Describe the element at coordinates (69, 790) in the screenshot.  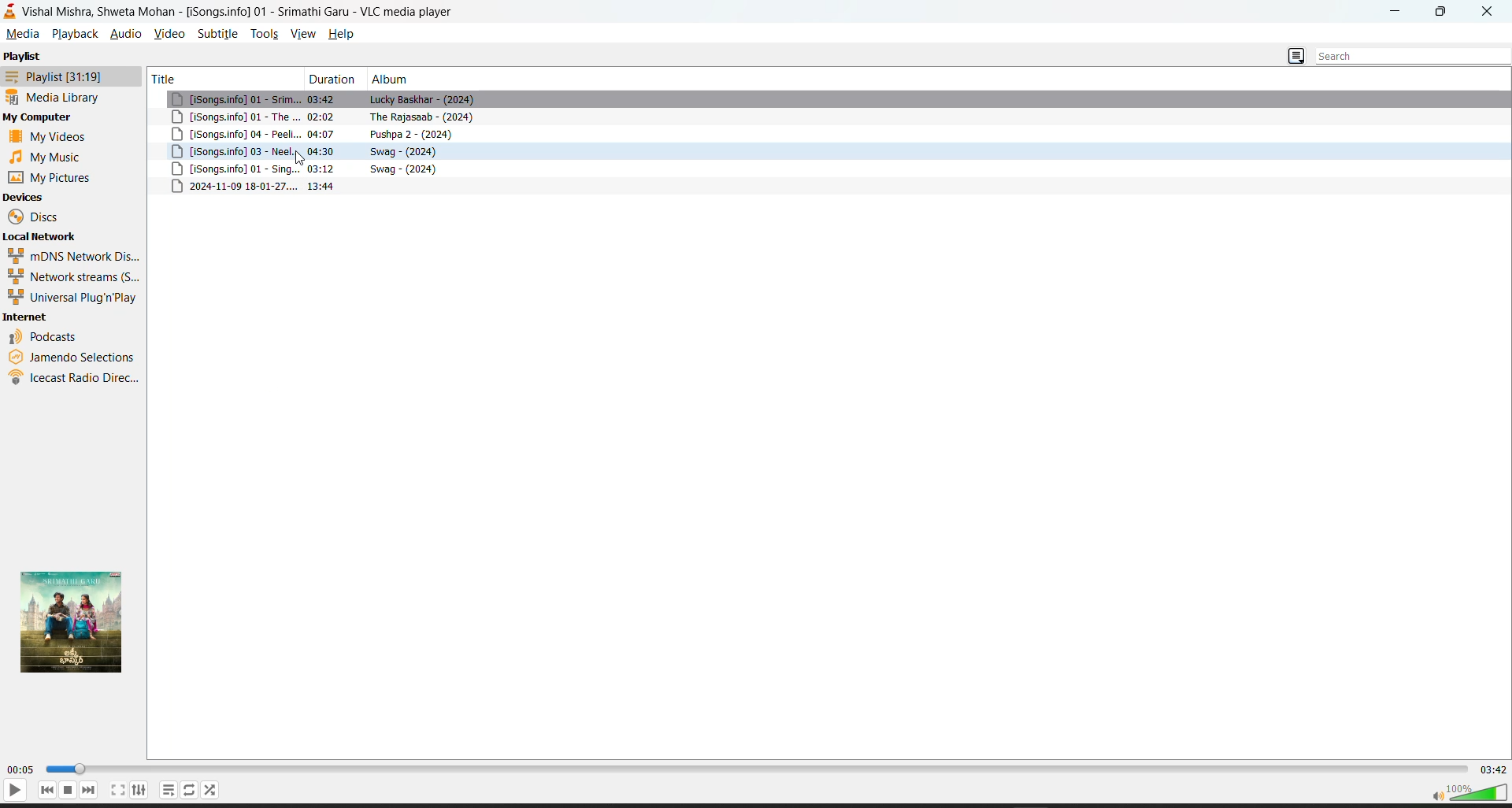
I see `stop` at that location.